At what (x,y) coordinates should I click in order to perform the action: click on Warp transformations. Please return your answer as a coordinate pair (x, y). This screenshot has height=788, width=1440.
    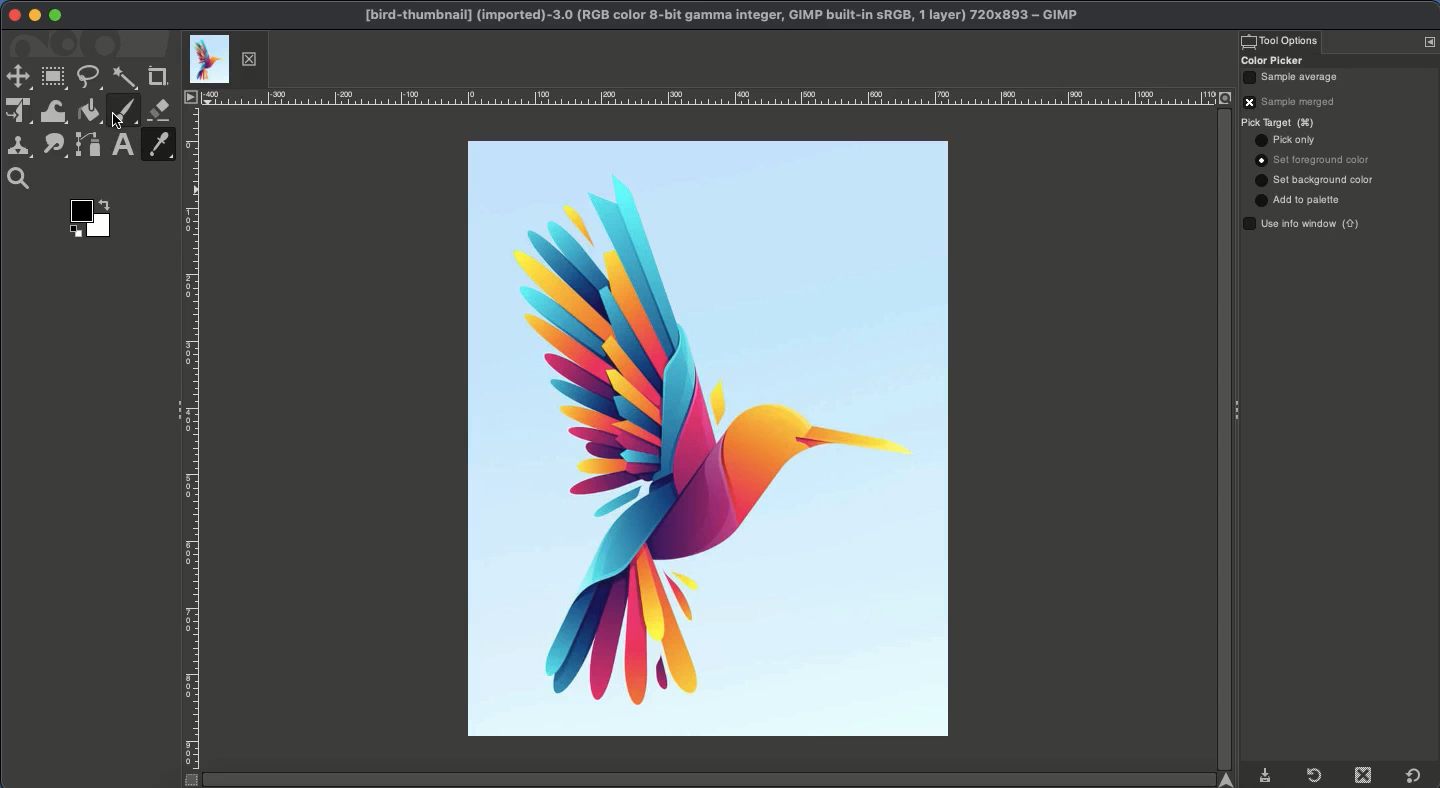
    Looking at the image, I should click on (56, 113).